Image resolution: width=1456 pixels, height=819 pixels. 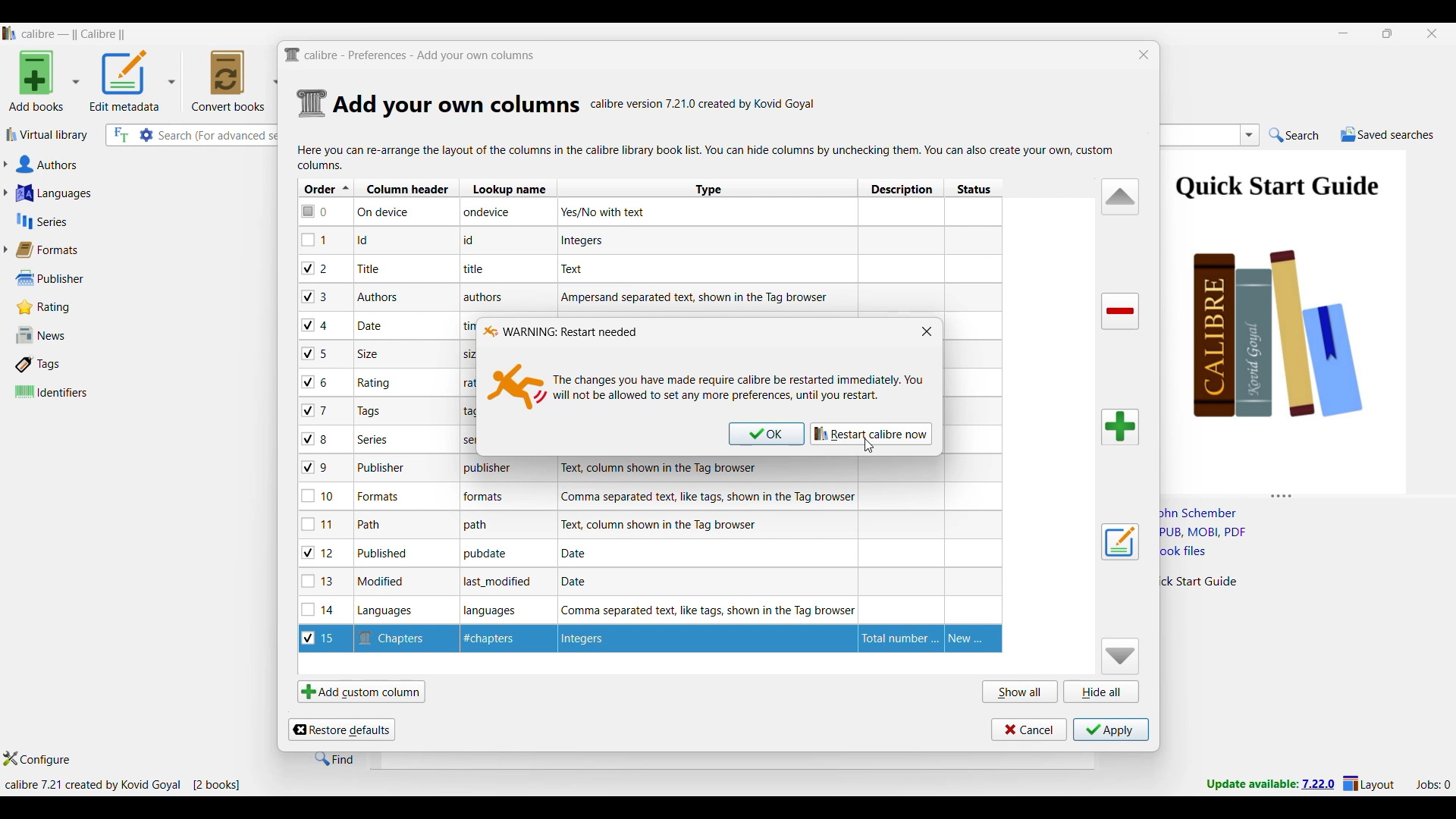 What do you see at coordinates (122, 785) in the screenshot?
I see `Current details of software` at bounding box center [122, 785].